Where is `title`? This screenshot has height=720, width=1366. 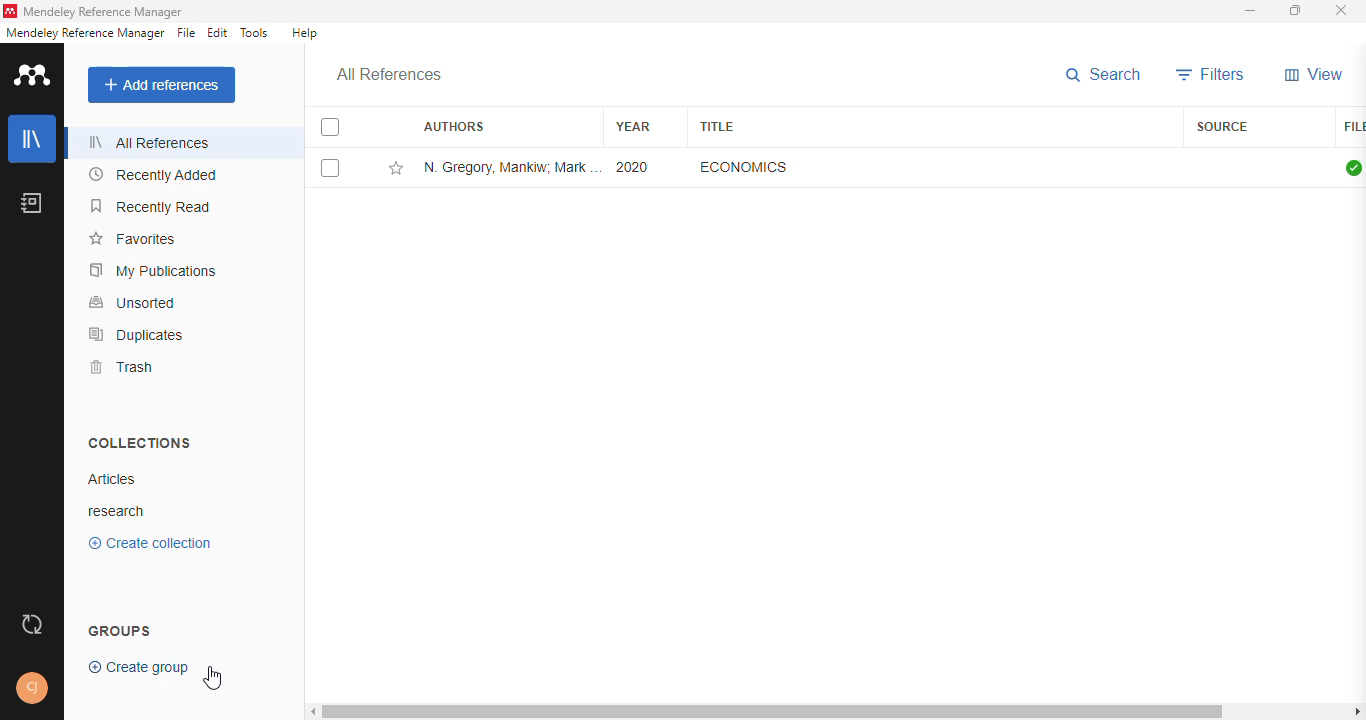 title is located at coordinates (717, 127).